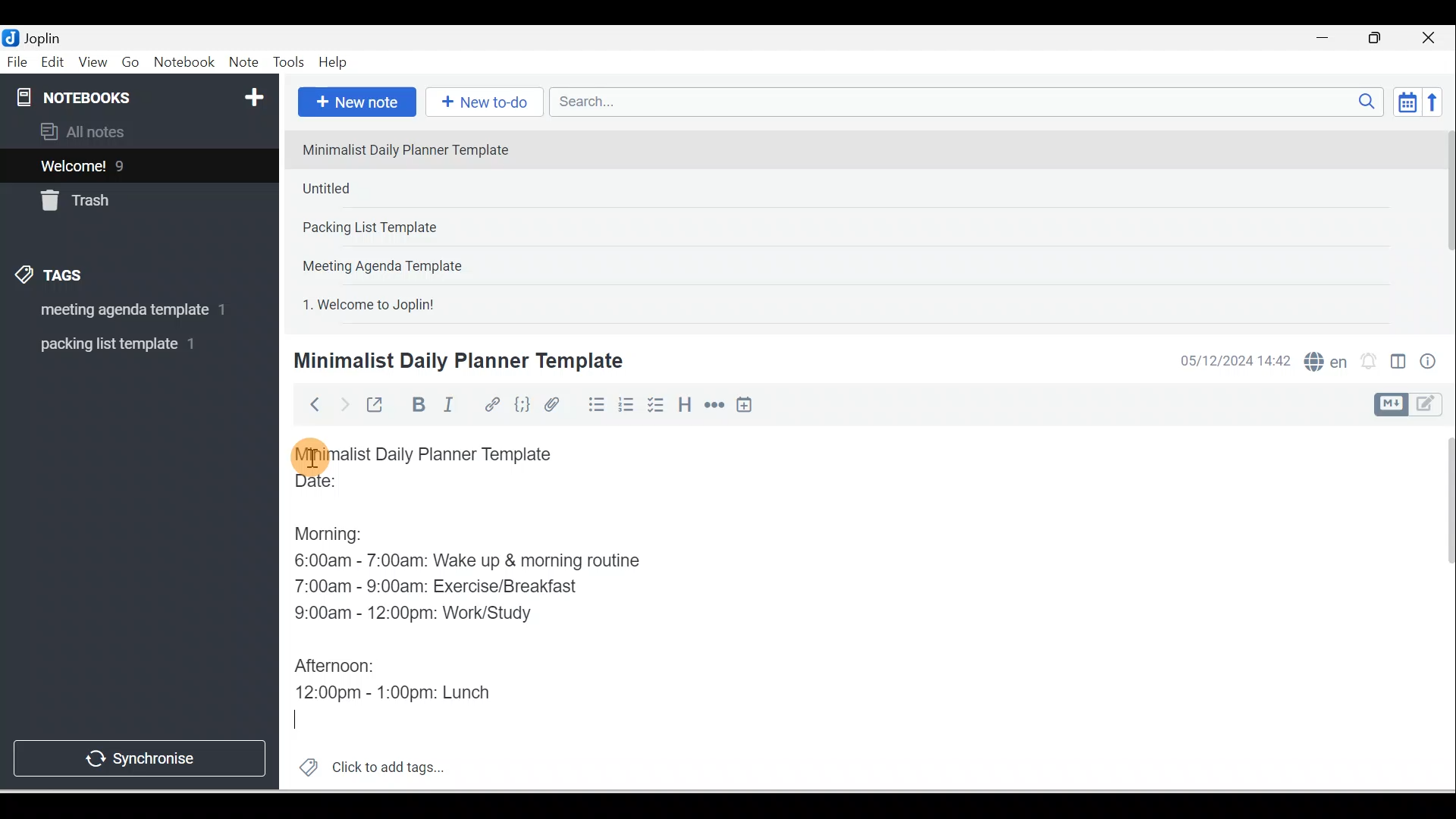 This screenshot has height=819, width=1456. I want to click on Note 5, so click(424, 303).